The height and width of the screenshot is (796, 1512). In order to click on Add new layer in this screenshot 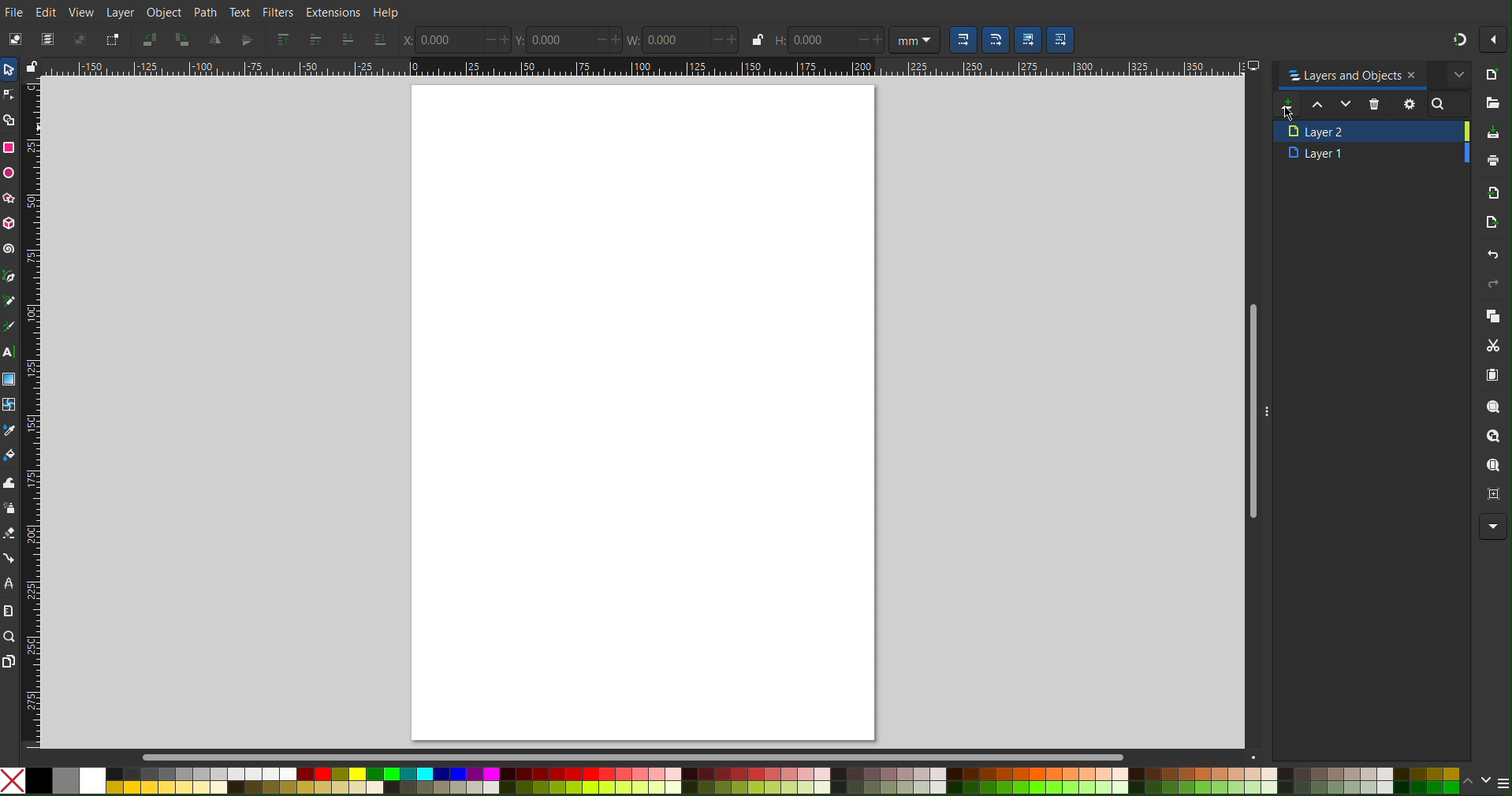, I will do `click(1286, 105)`.